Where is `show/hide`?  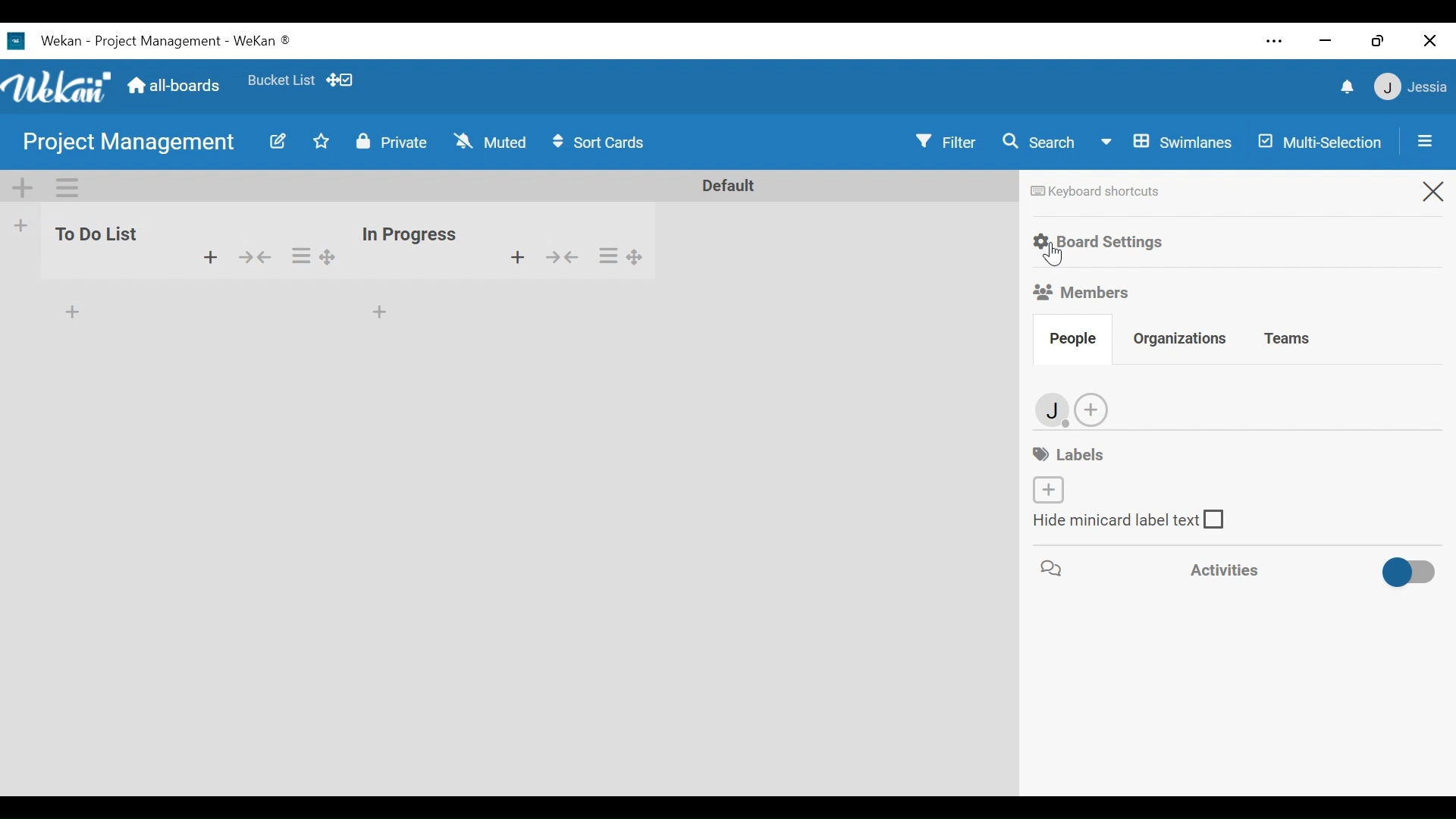
show/hide is located at coordinates (570, 260).